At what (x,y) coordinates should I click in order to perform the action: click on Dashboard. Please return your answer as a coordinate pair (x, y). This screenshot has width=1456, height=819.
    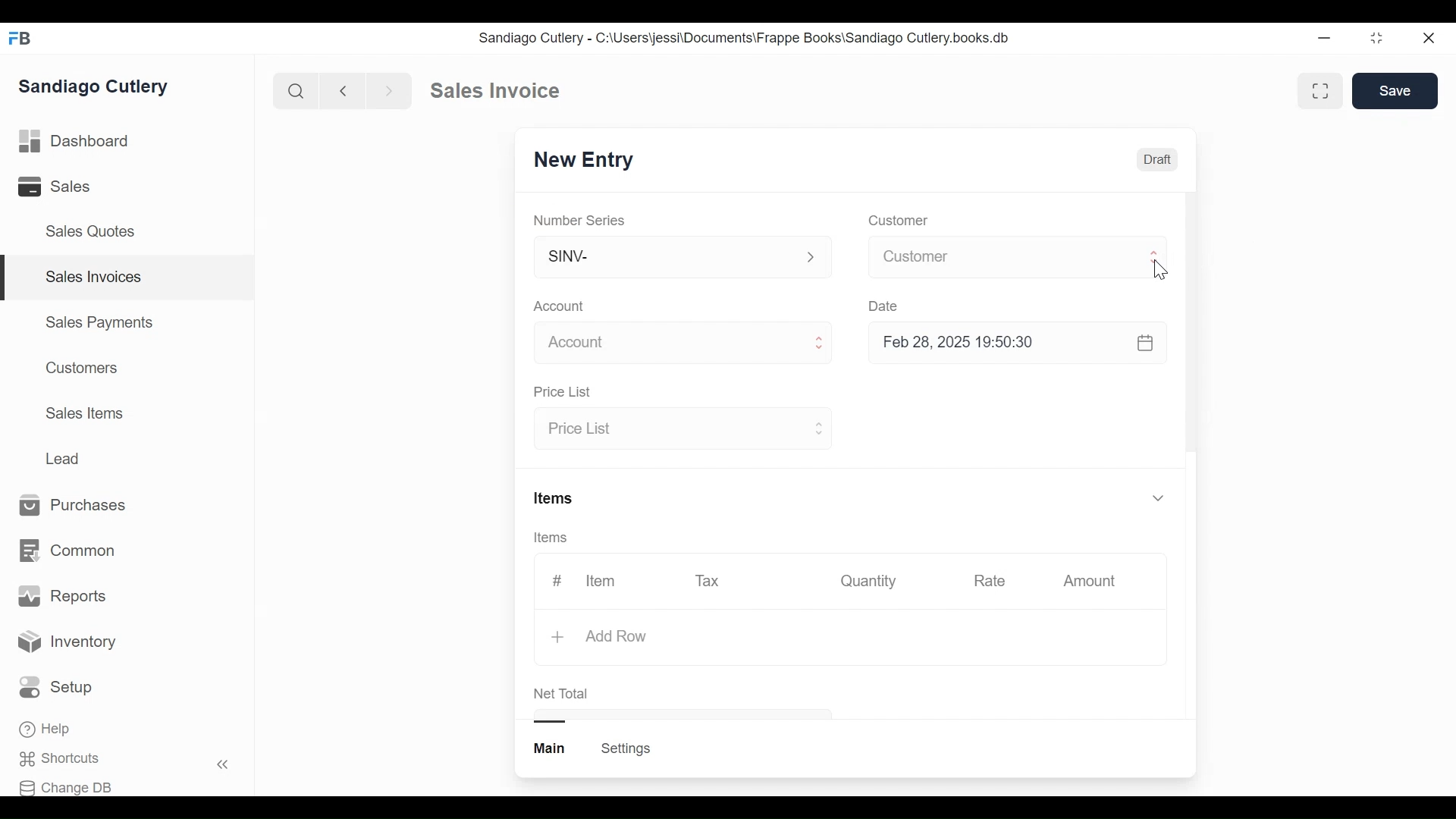
    Looking at the image, I should click on (75, 140).